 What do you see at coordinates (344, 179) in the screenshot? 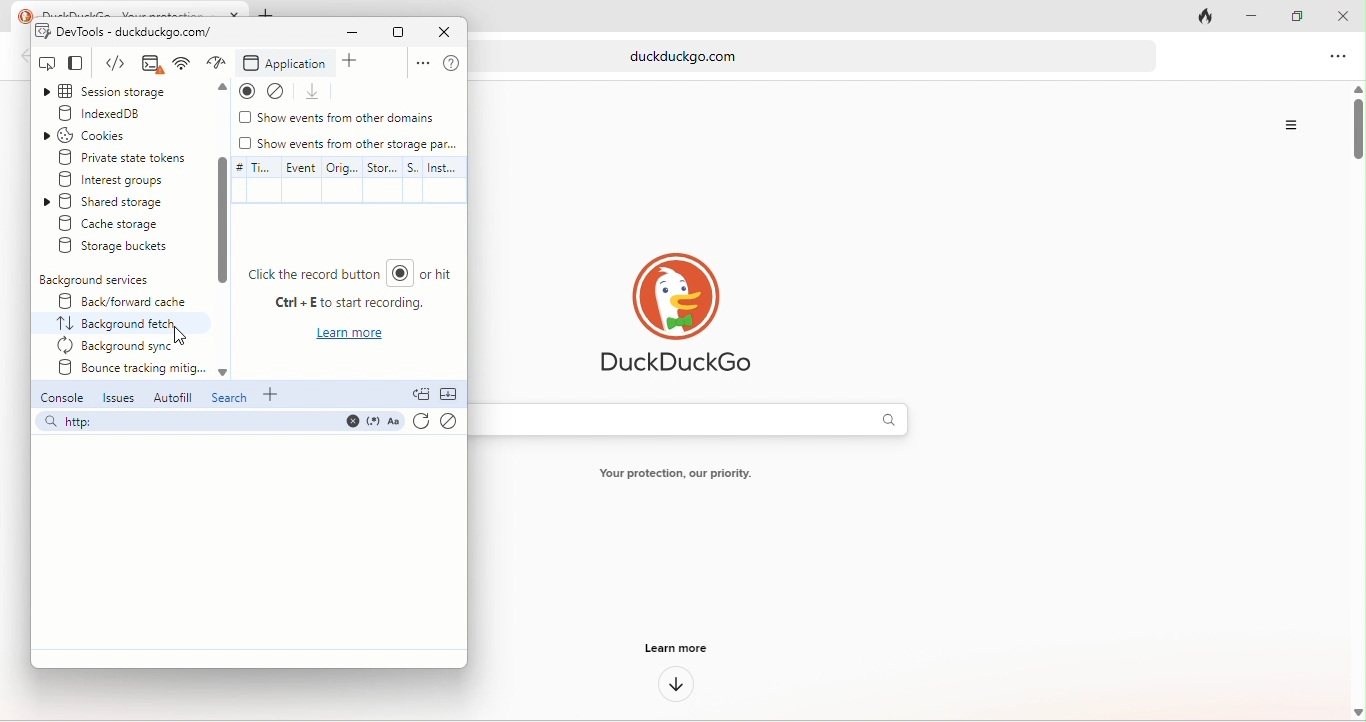
I see `origin` at bounding box center [344, 179].